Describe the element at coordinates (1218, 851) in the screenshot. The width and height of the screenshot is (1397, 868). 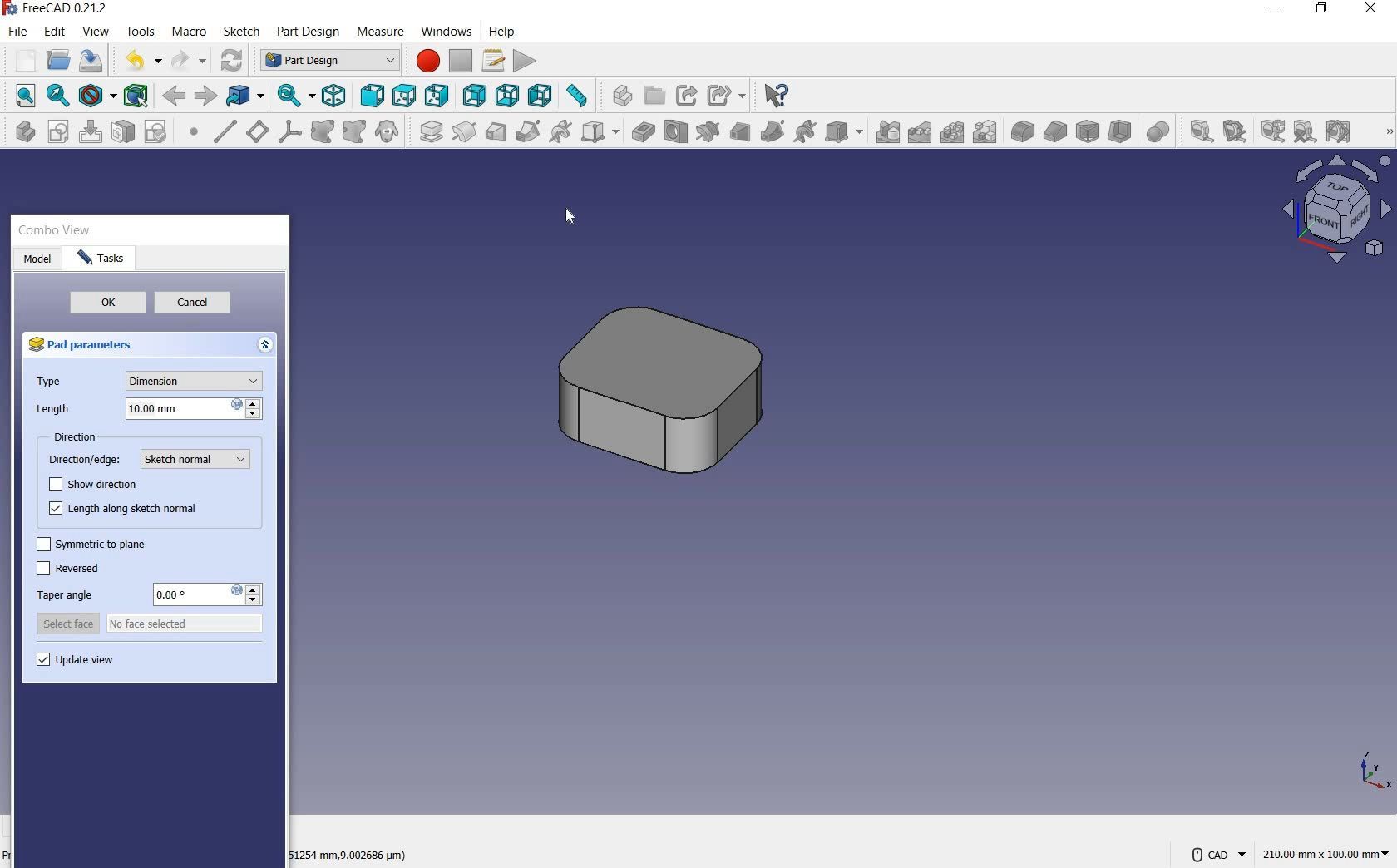
I see `CAD Navigation Style` at that location.